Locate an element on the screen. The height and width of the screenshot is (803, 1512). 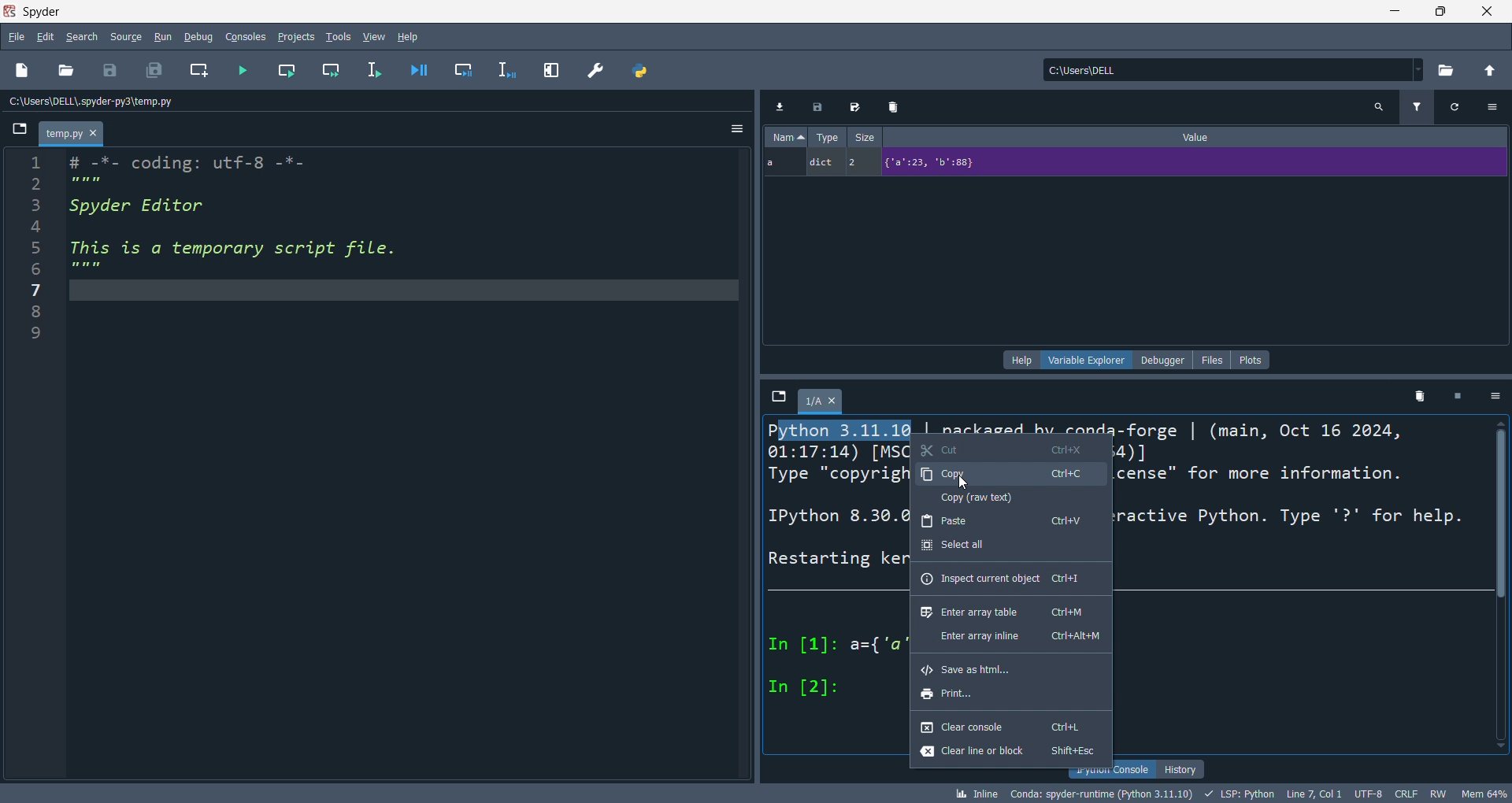
line number is located at coordinates (31, 464).